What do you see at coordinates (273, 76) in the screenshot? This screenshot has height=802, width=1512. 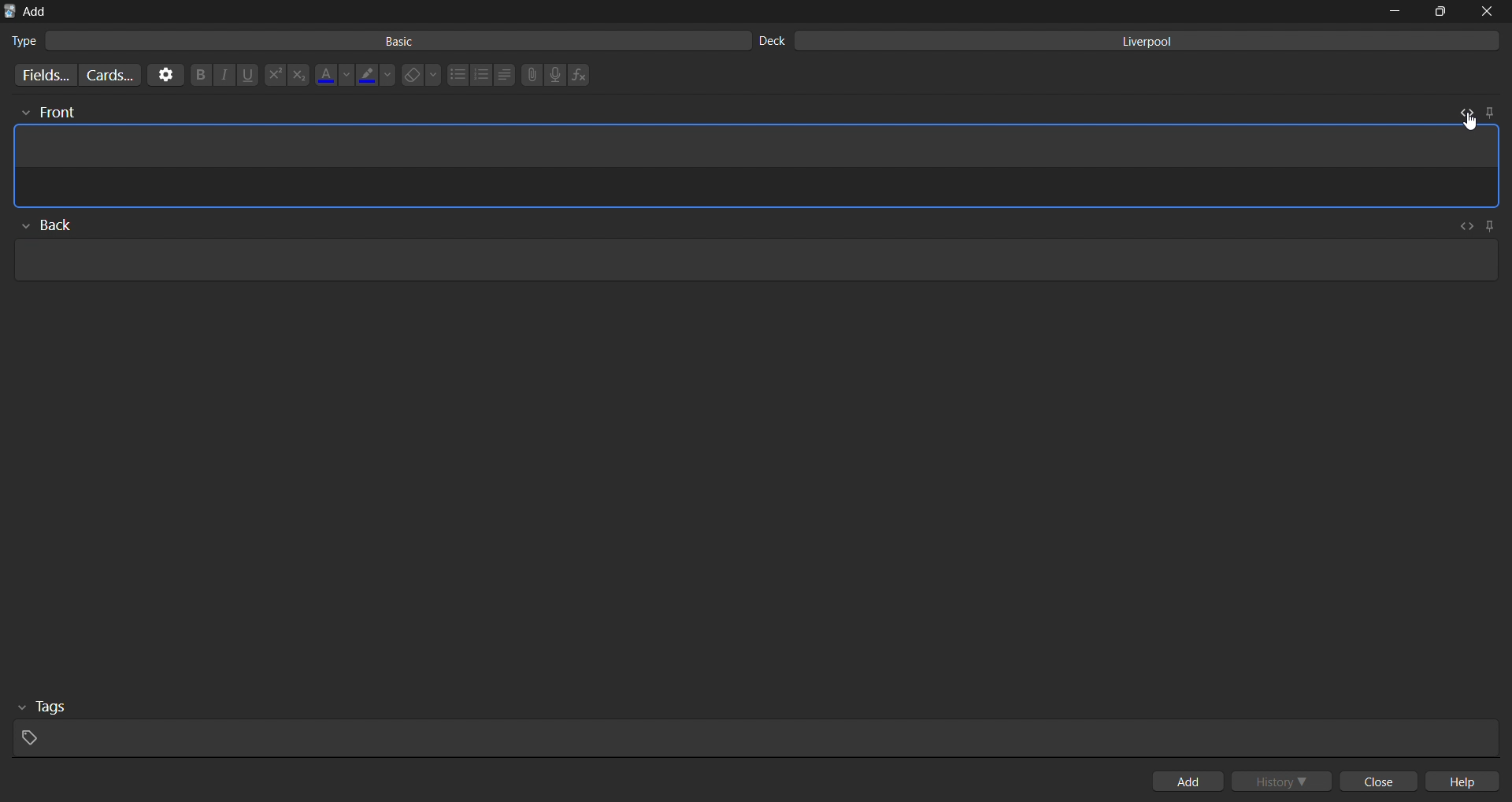 I see `superscript` at bounding box center [273, 76].